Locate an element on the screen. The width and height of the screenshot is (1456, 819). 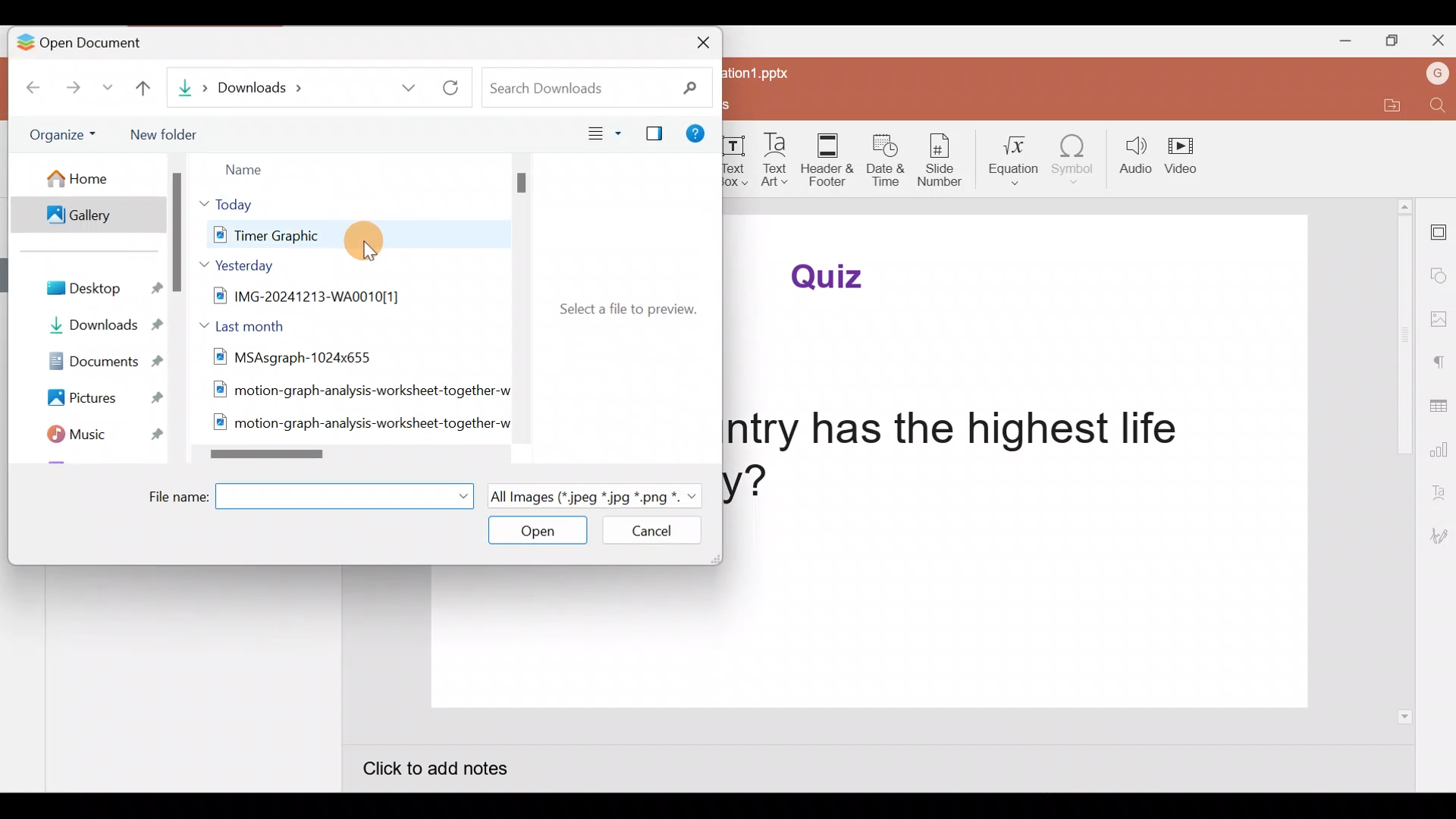
Organize is located at coordinates (67, 134).